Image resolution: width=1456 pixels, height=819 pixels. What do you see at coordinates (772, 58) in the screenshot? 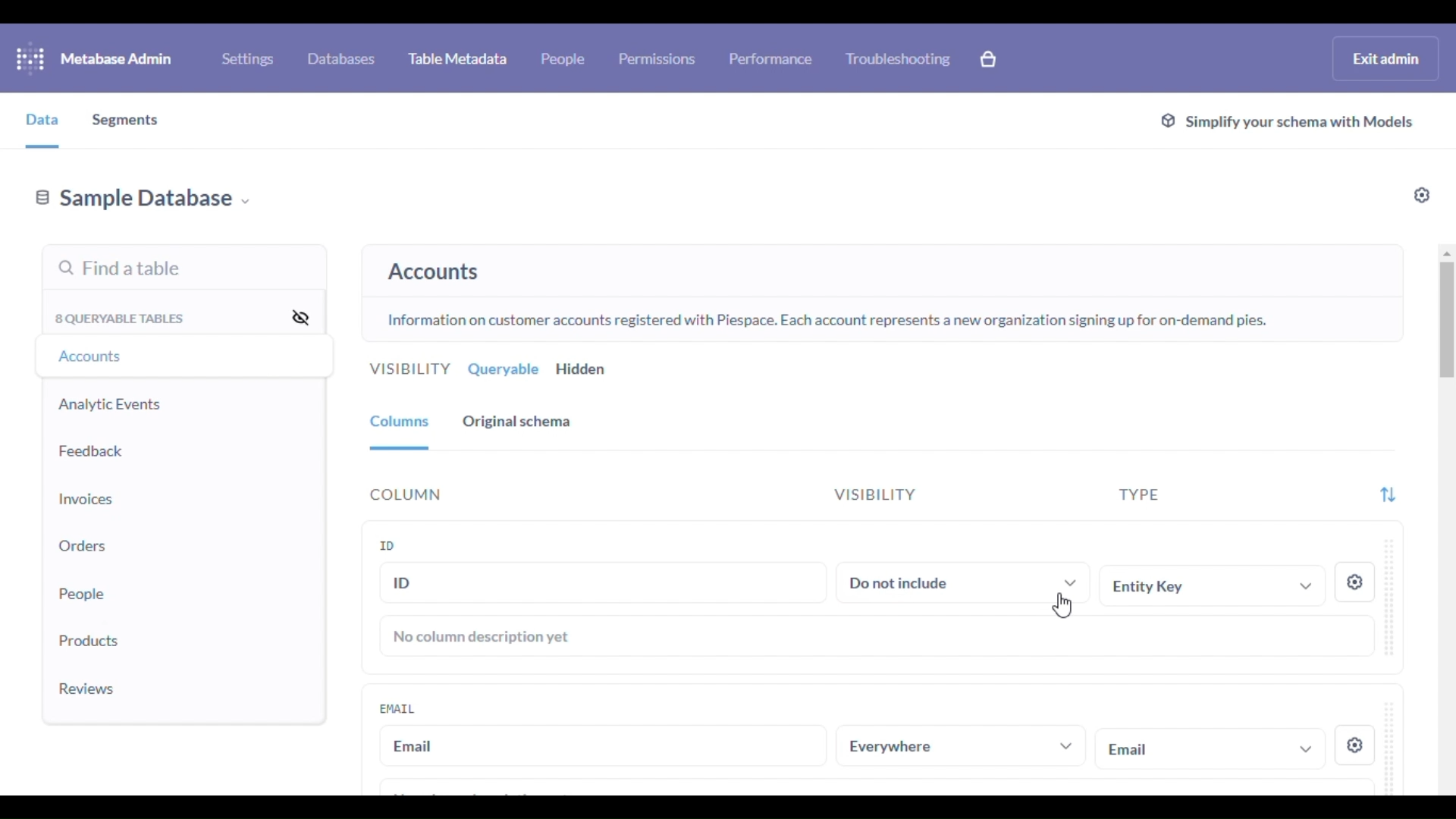
I see `performance` at bounding box center [772, 58].